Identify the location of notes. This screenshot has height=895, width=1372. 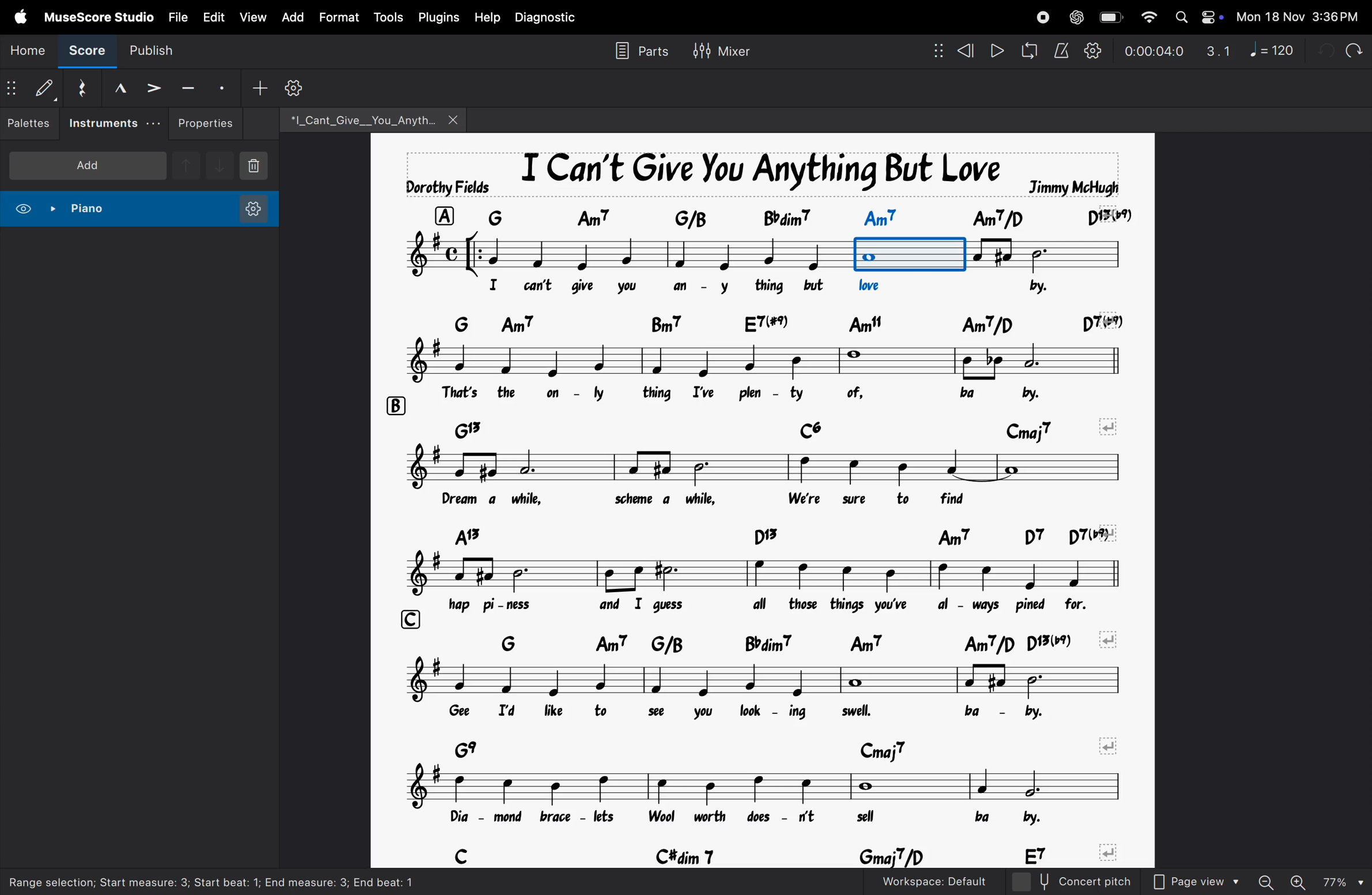
(772, 466).